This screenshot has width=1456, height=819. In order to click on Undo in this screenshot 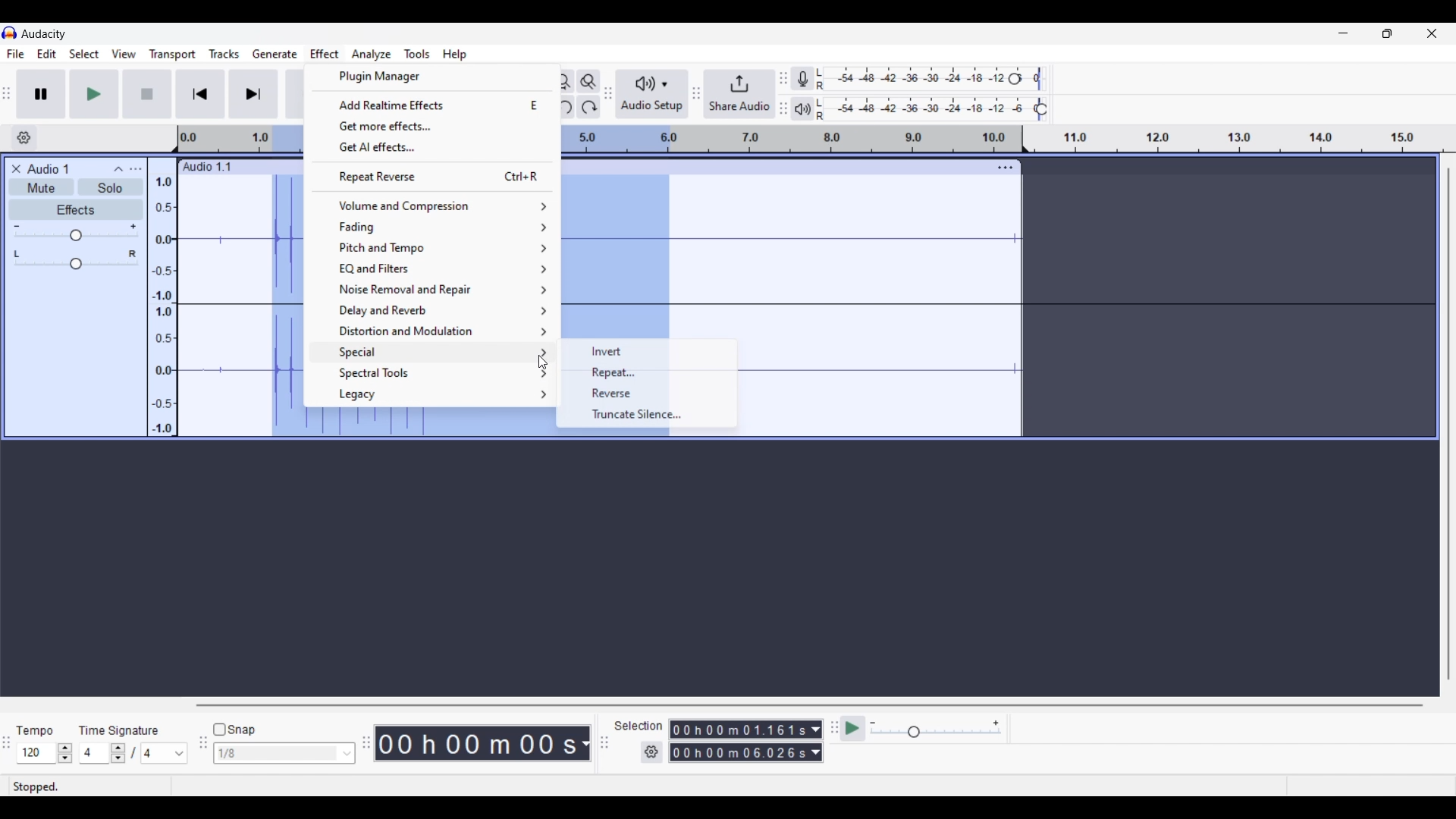, I will do `click(562, 107)`.